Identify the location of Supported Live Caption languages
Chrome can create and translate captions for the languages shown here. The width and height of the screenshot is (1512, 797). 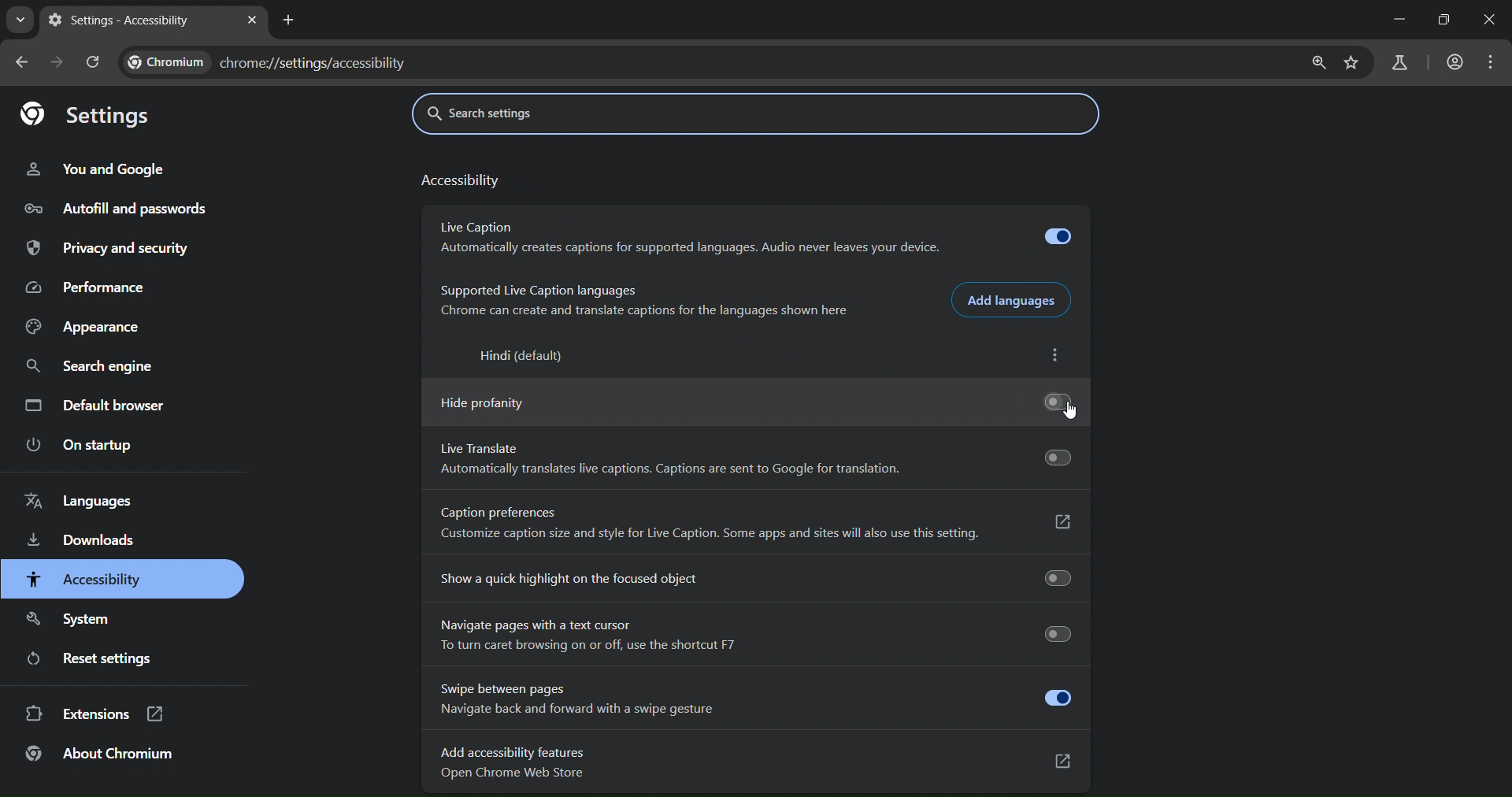
(646, 299).